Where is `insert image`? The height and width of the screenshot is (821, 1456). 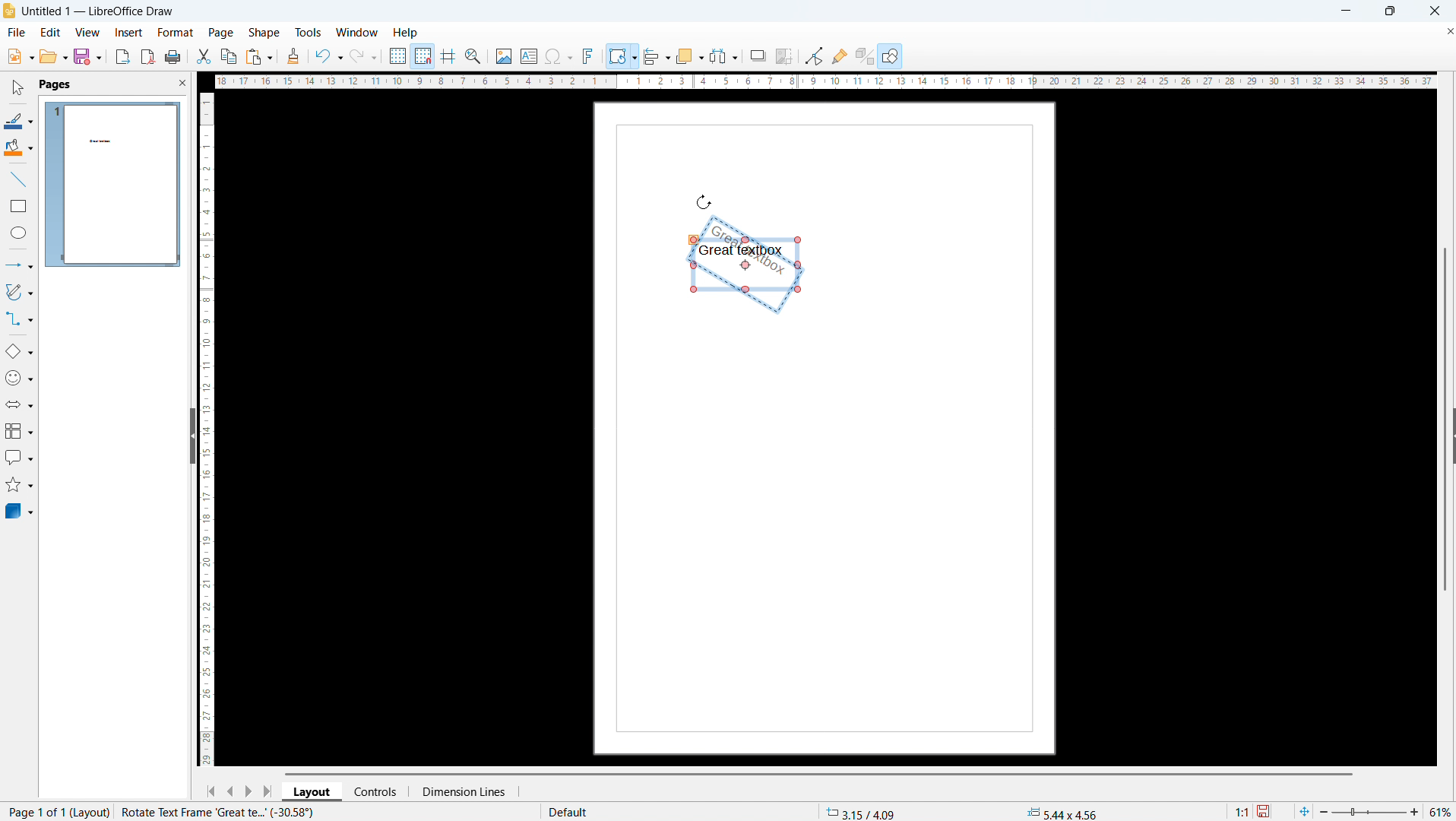
insert image is located at coordinates (504, 55).